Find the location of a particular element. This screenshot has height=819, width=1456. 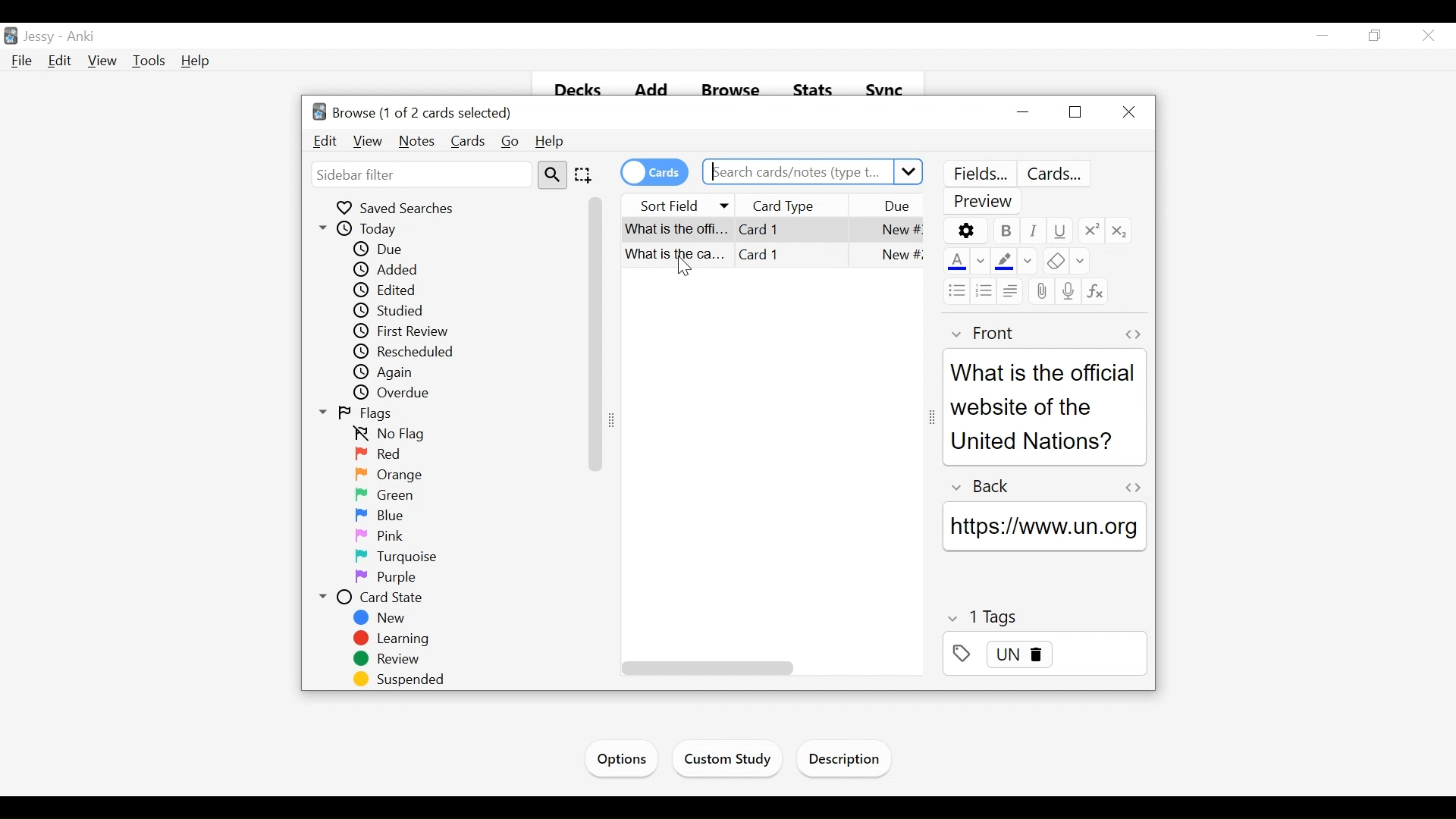

Blue is located at coordinates (381, 515).